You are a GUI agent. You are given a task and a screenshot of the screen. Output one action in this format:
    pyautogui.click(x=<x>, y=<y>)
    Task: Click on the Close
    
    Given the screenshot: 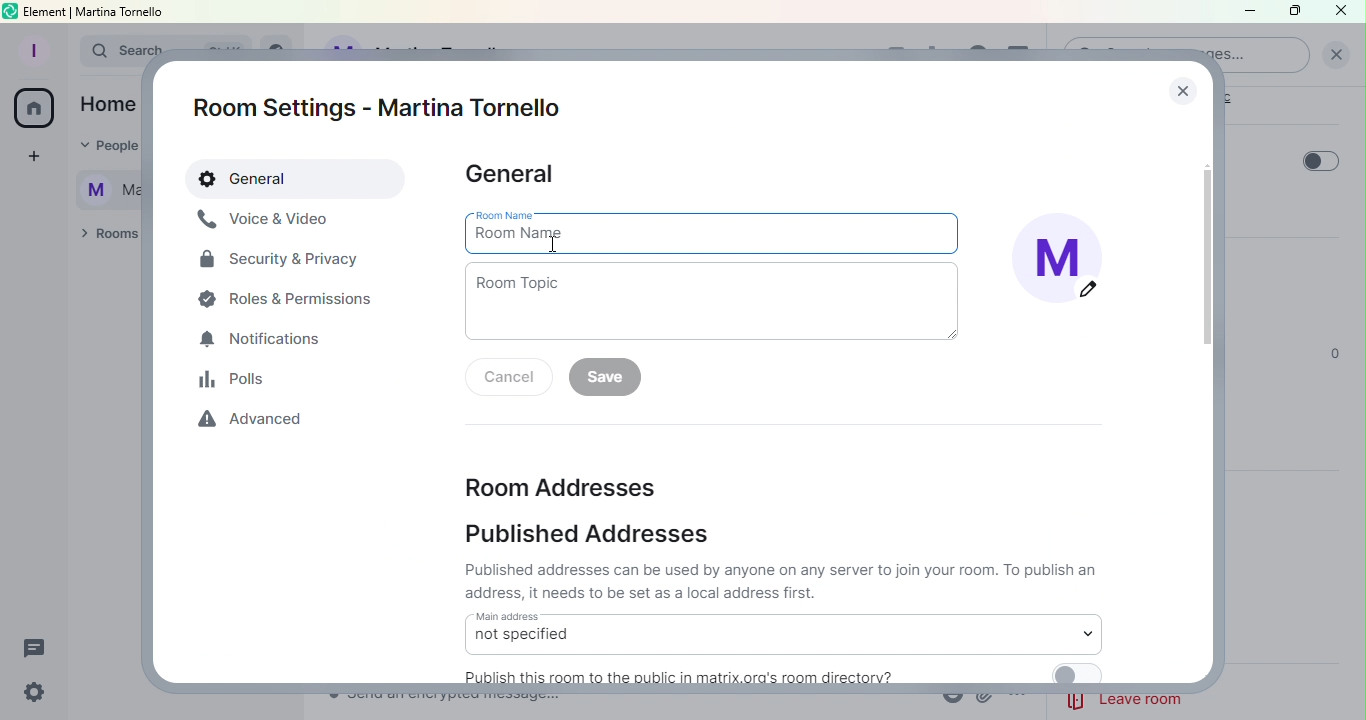 What is the action you would take?
    pyautogui.click(x=1346, y=12)
    